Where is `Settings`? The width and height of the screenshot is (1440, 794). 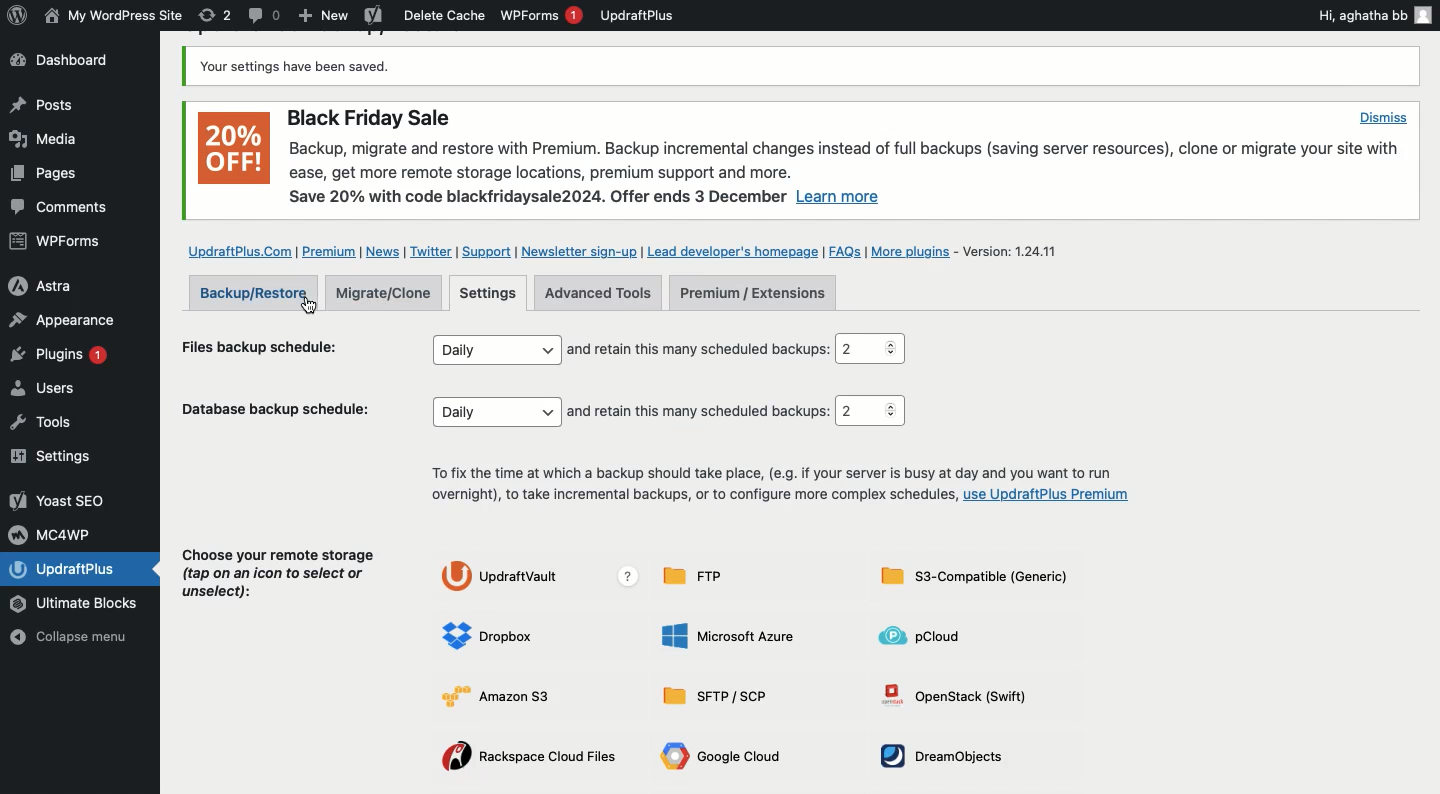 Settings is located at coordinates (57, 457).